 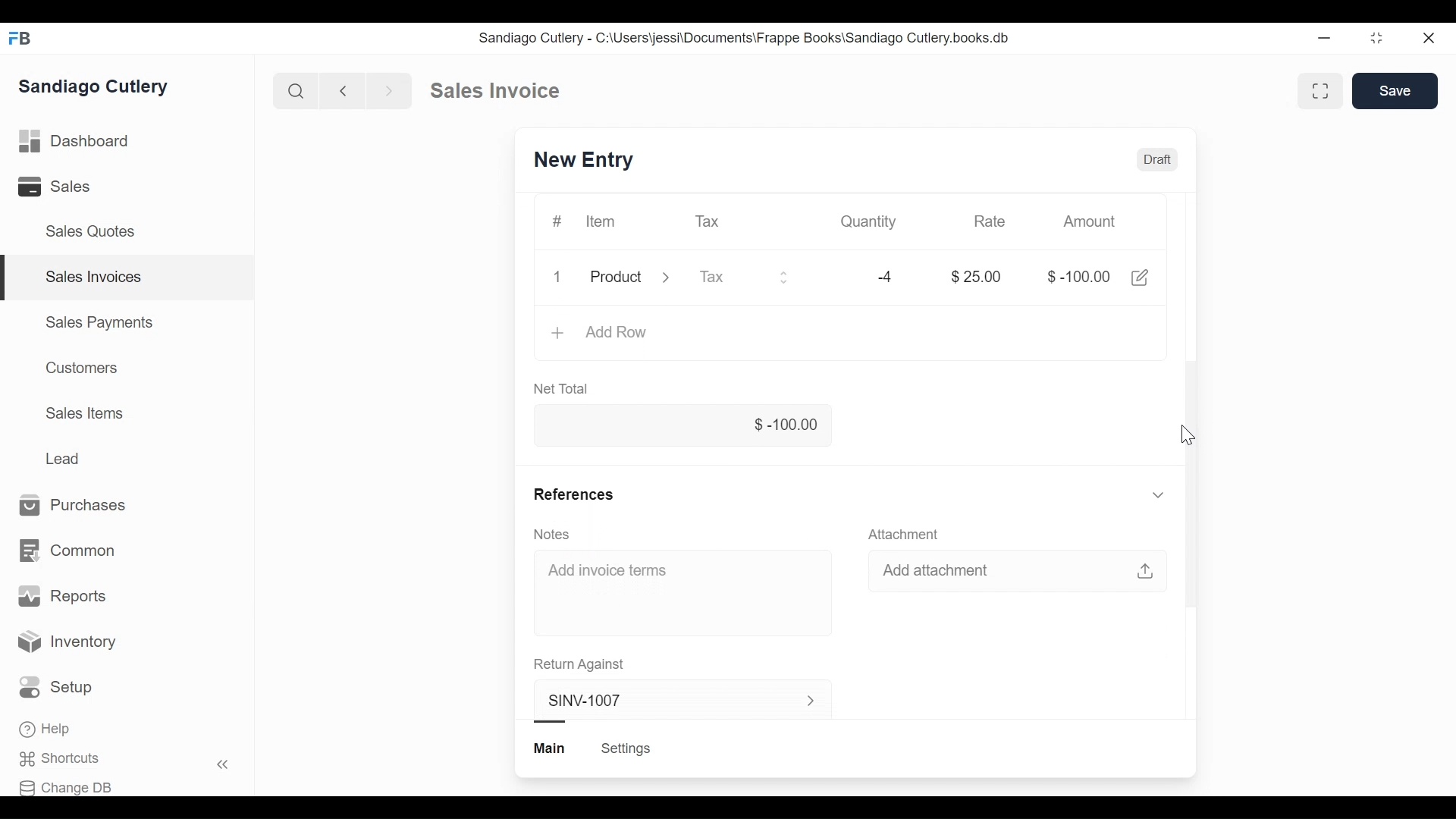 What do you see at coordinates (989, 221) in the screenshot?
I see `Rate` at bounding box center [989, 221].